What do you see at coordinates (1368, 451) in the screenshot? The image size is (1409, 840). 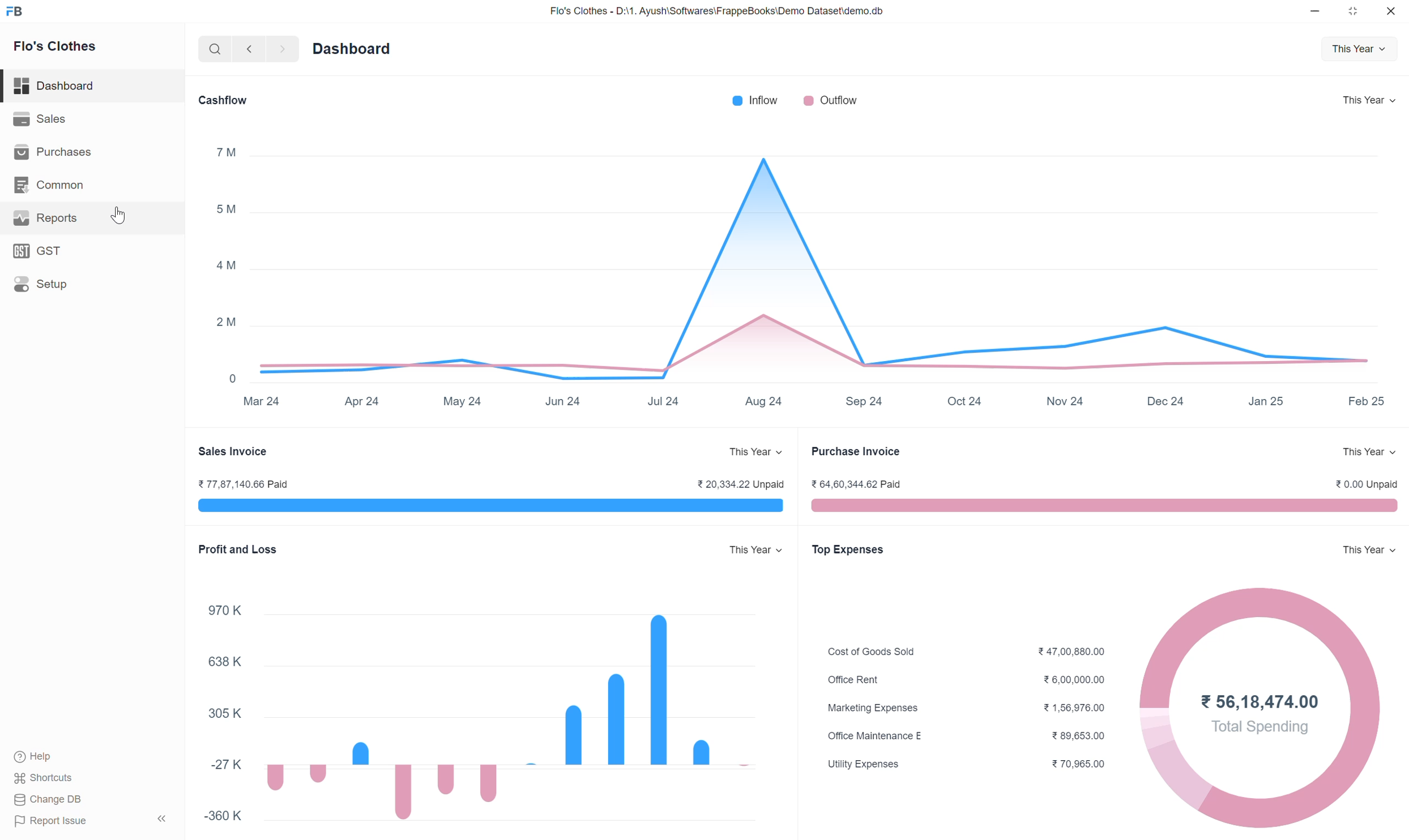 I see `this year` at bounding box center [1368, 451].